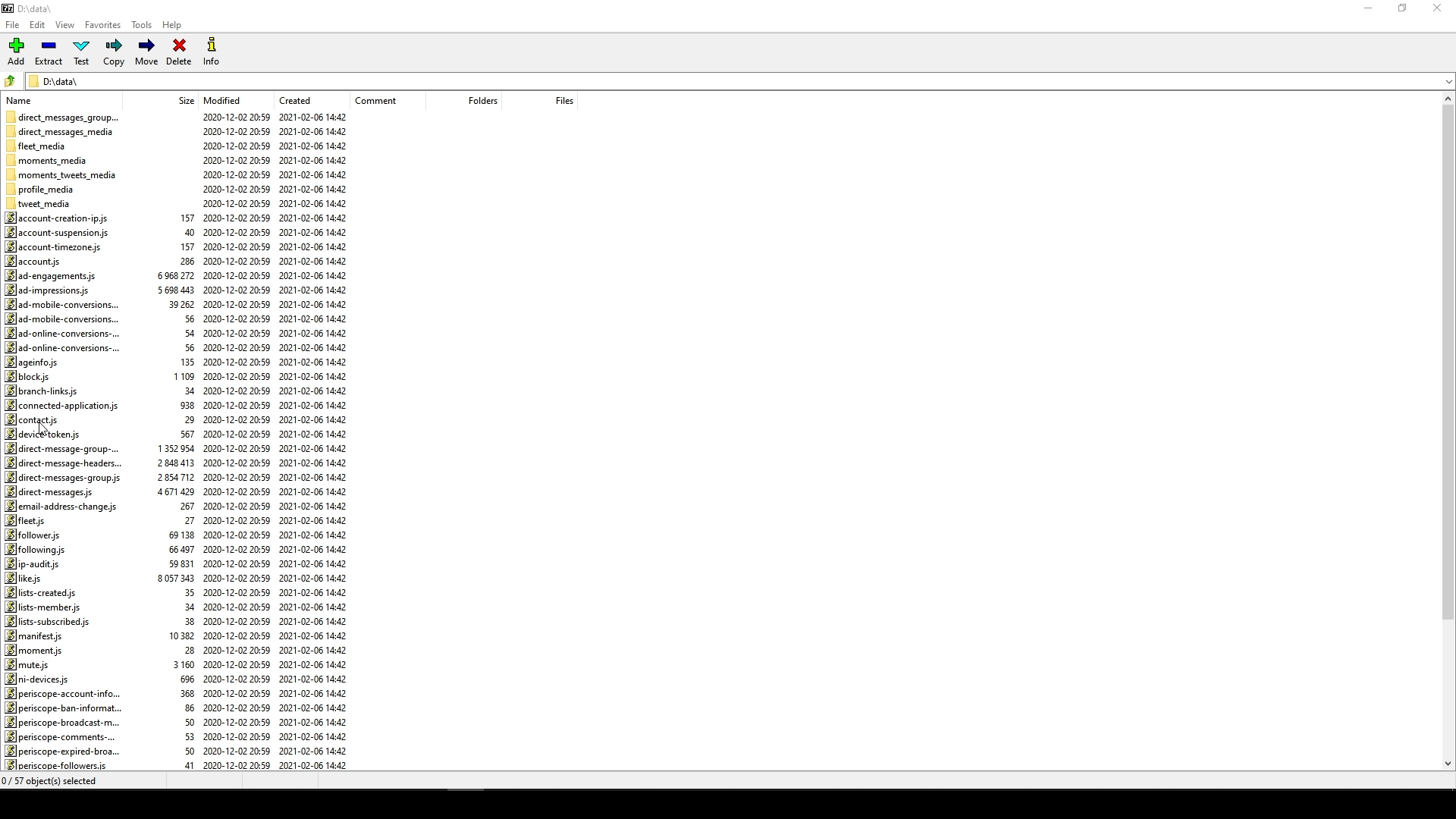 The image size is (1456, 819). Describe the element at coordinates (38, 260) in the screenshot. I see `account.js` at that location.